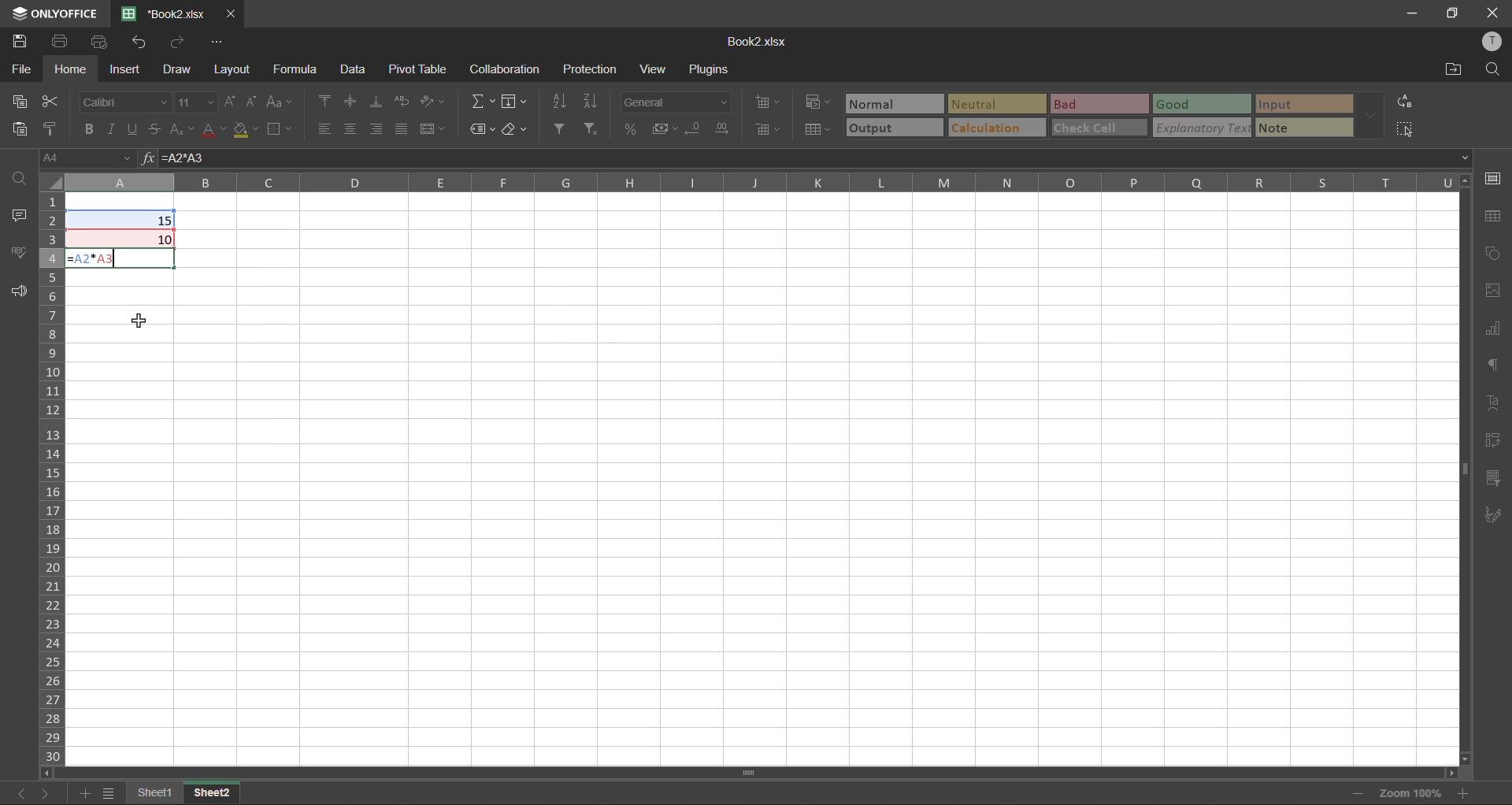 The image size is (1512, 805). Describe the element at coordinates (1495, 480) in the screenshot. I see `slicer` at that location.